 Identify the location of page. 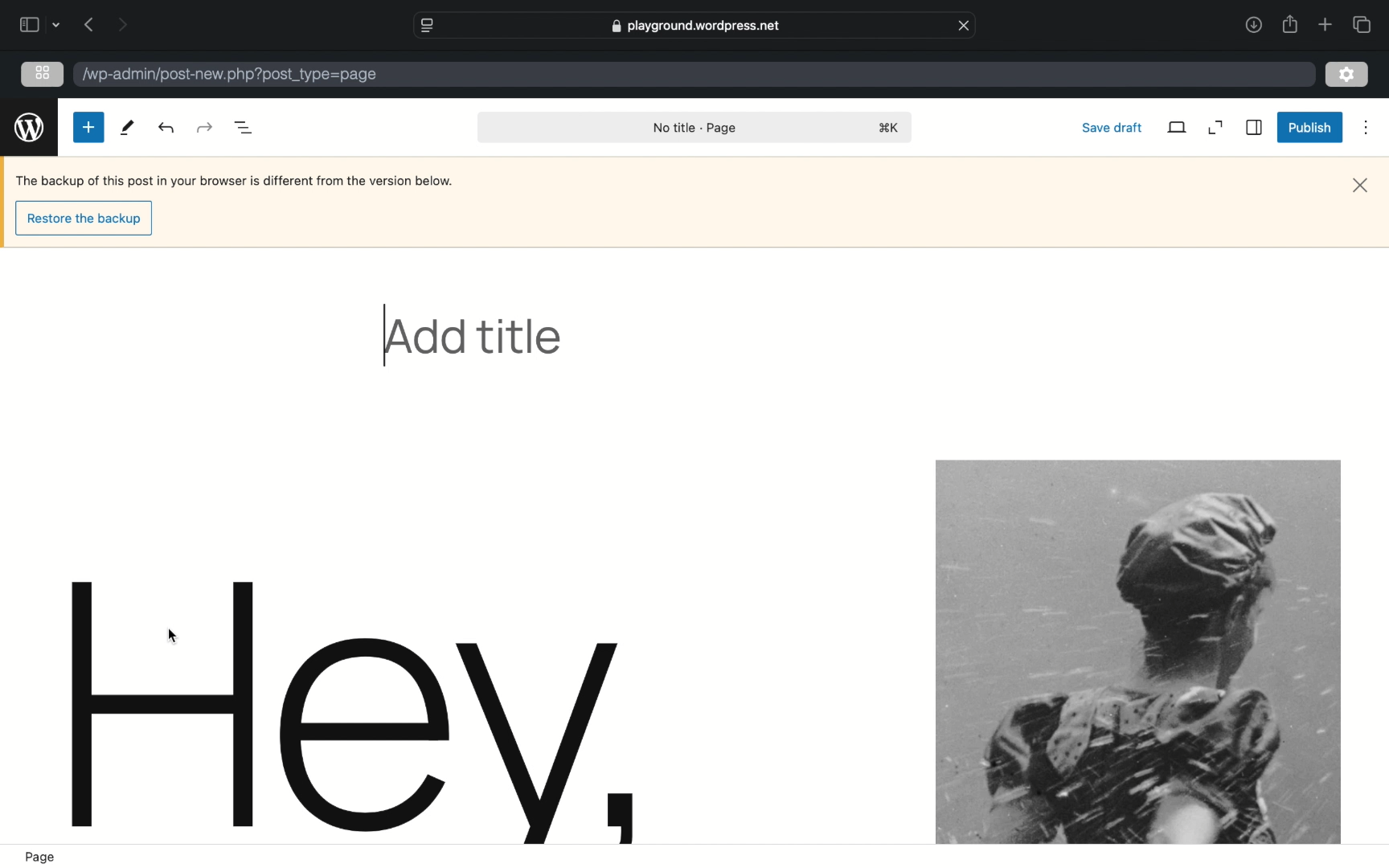
(41, 858).